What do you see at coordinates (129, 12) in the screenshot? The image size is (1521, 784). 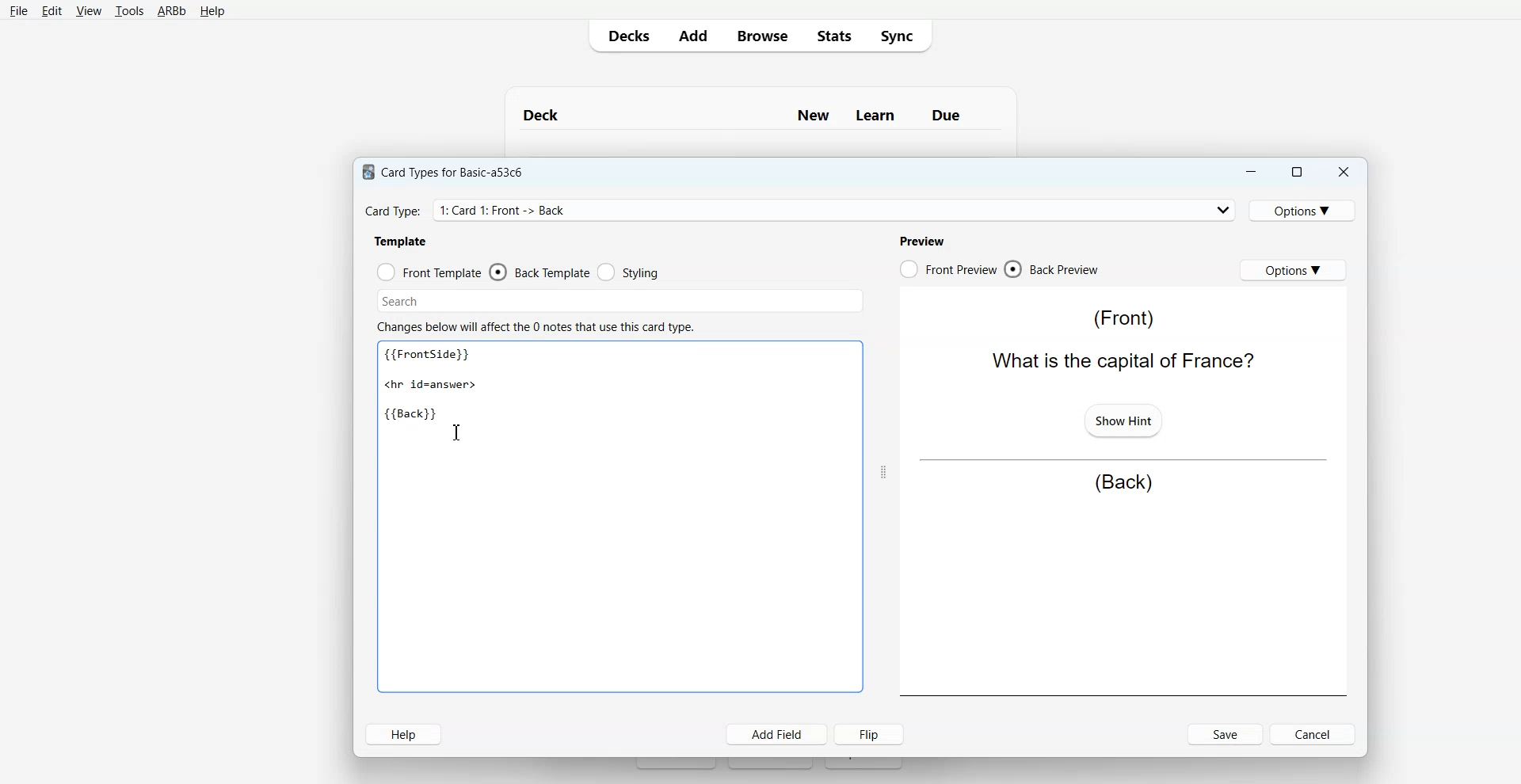 I see `Tools` at bounding box center [129, 12].